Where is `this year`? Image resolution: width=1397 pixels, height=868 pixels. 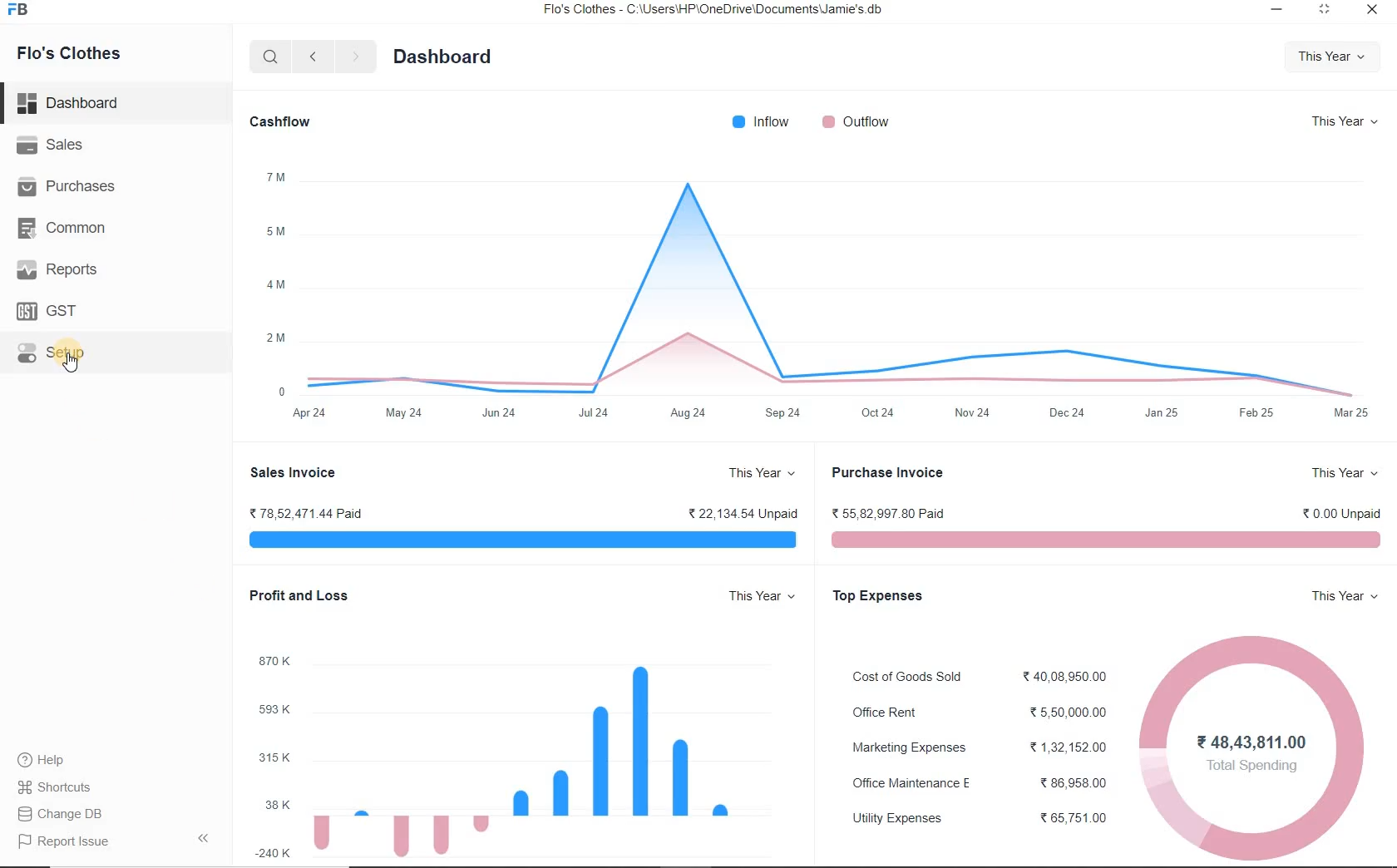
this year is located at coordinates (1332, 121).